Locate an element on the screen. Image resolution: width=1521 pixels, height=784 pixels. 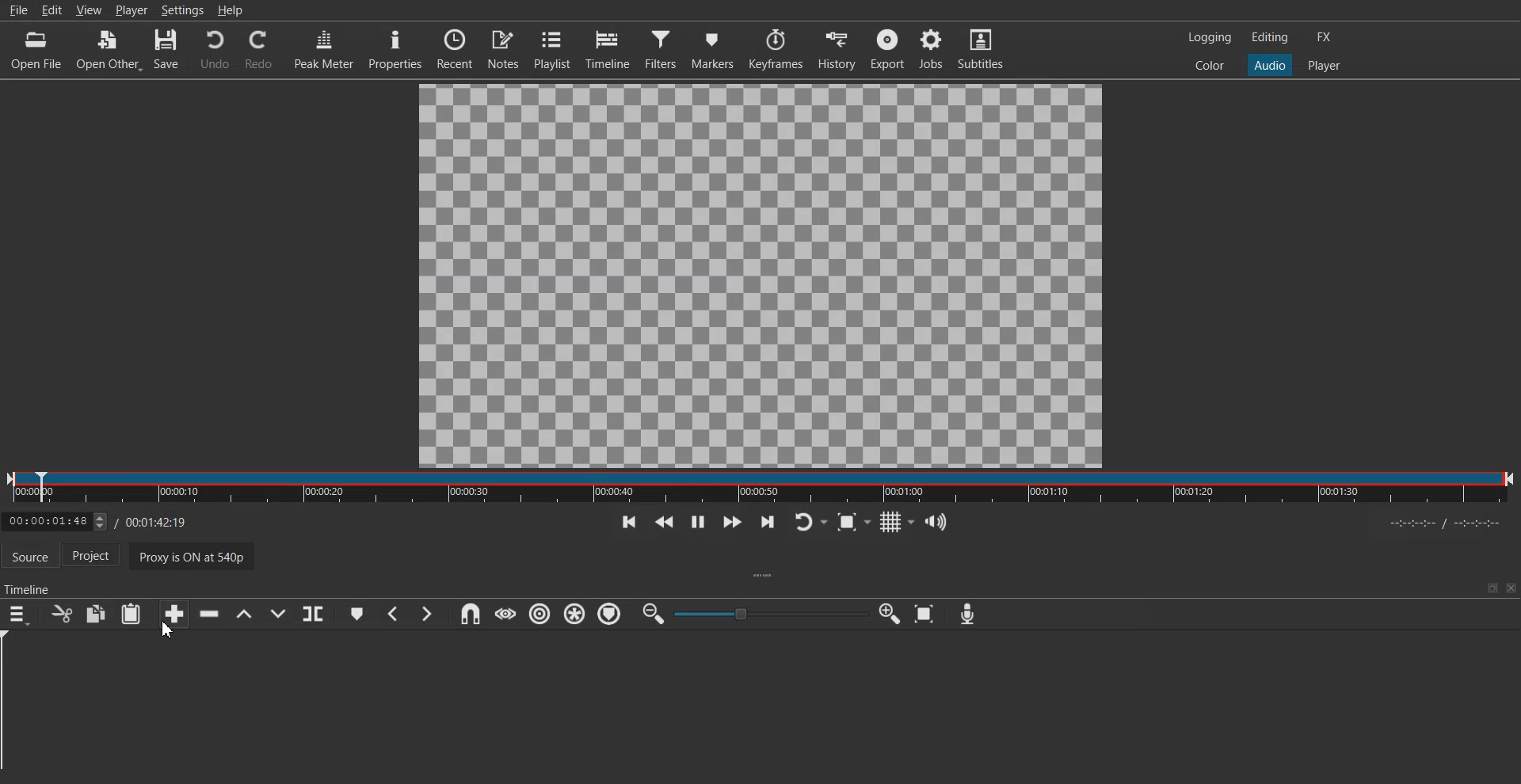
Previous marker is located at coordinates (392, 614).